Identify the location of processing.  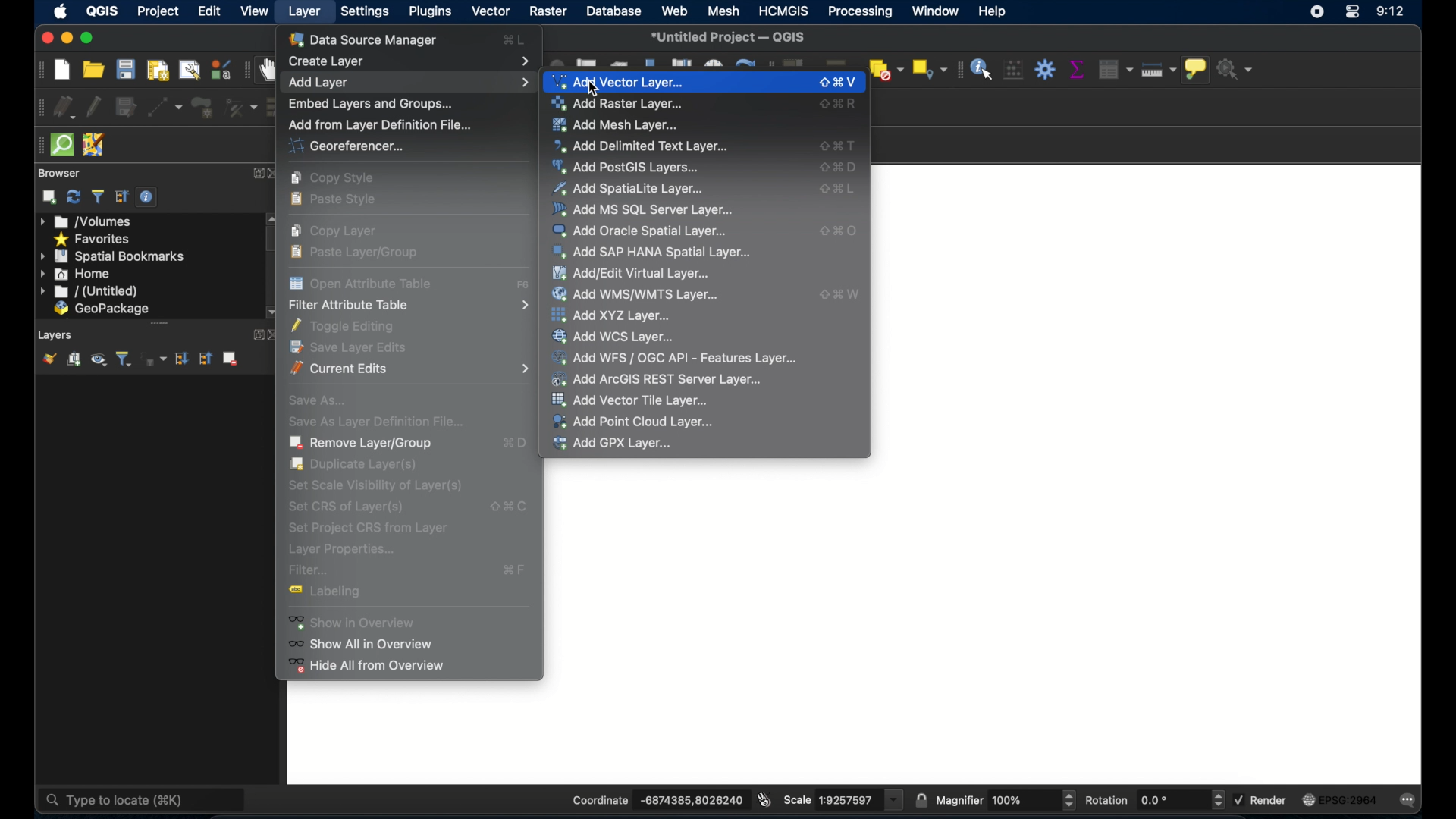
(862, 13).